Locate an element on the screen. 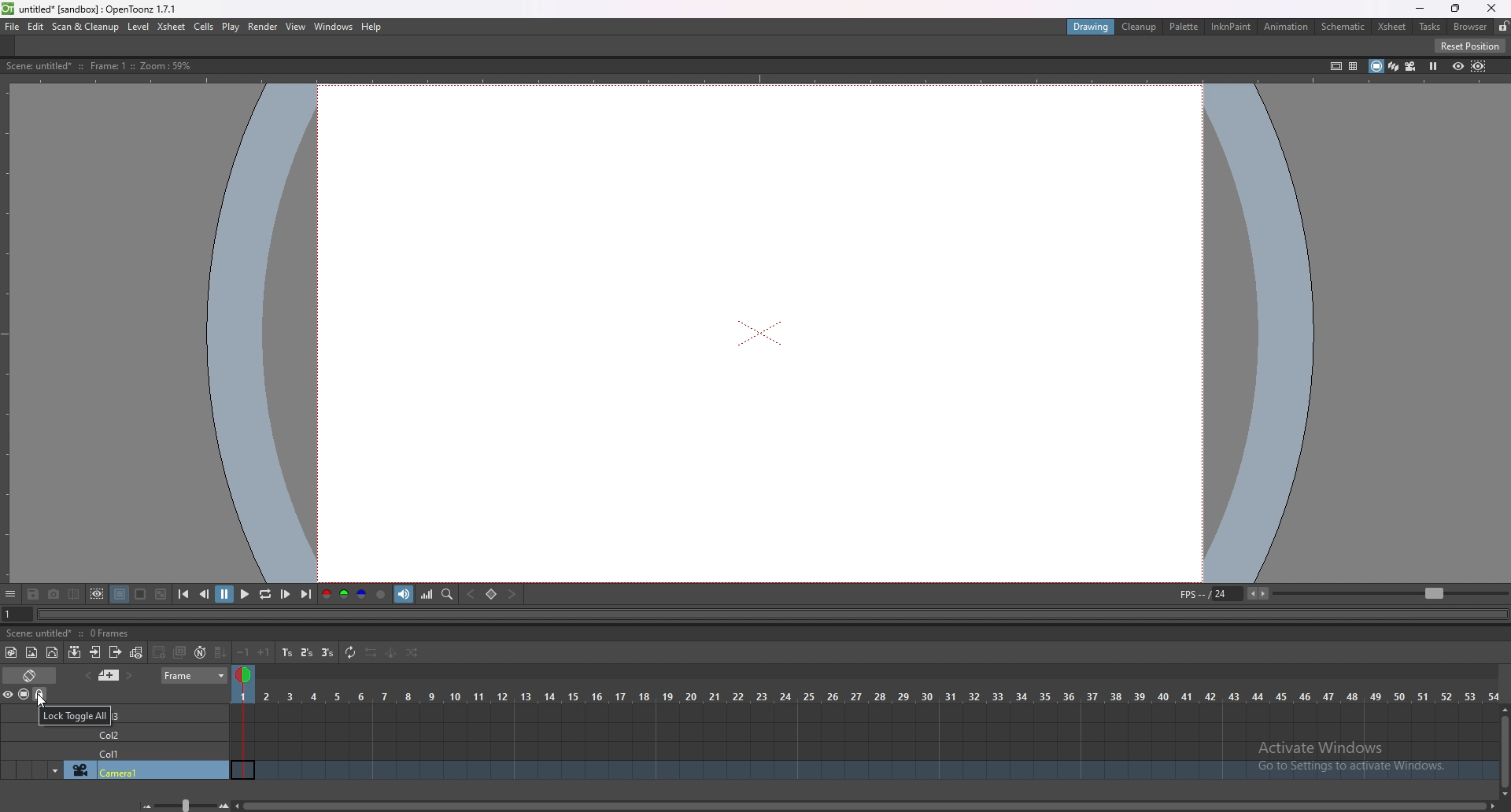  define sub camera is located at coordinates (98, 593).